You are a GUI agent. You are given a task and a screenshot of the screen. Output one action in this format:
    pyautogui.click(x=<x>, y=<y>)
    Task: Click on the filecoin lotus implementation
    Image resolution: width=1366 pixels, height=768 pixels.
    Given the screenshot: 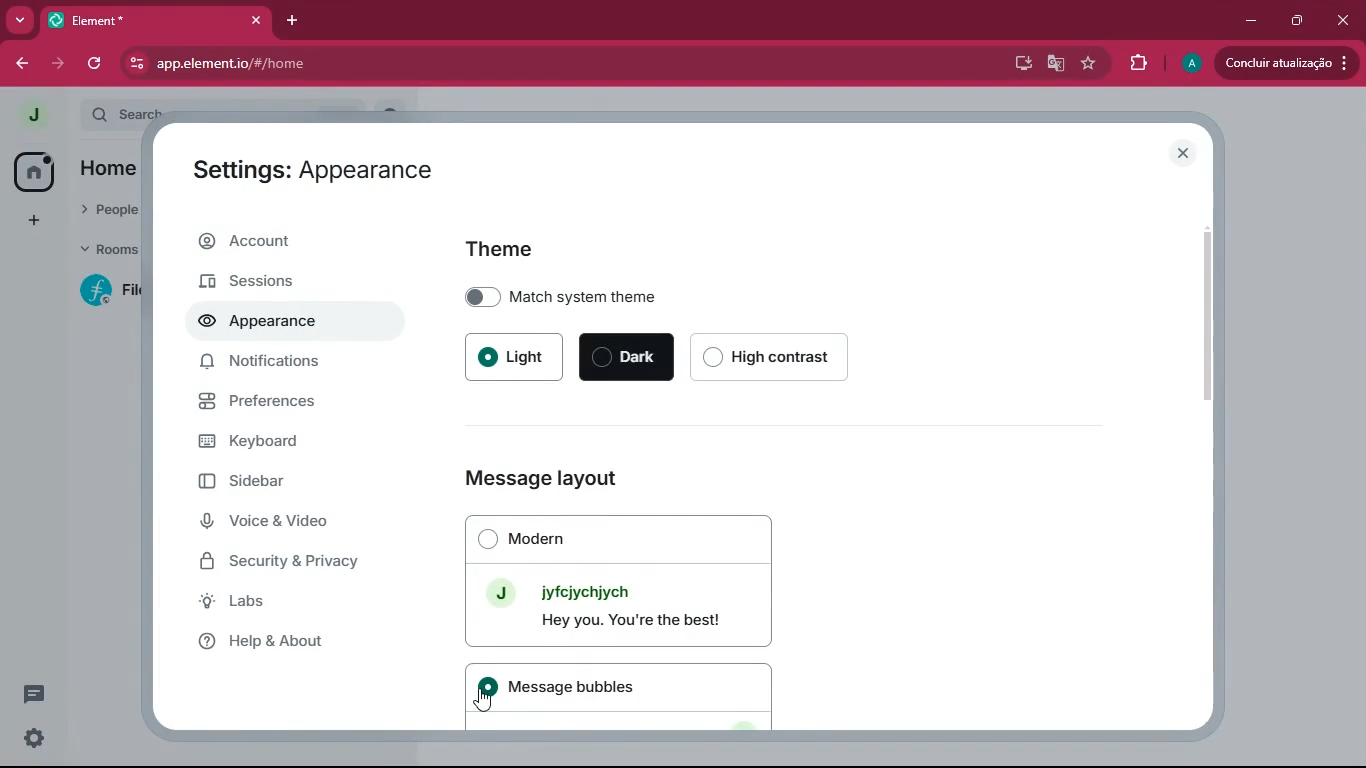 What is the action you would take?
    pyautogui.click(x=111, y=291)
    